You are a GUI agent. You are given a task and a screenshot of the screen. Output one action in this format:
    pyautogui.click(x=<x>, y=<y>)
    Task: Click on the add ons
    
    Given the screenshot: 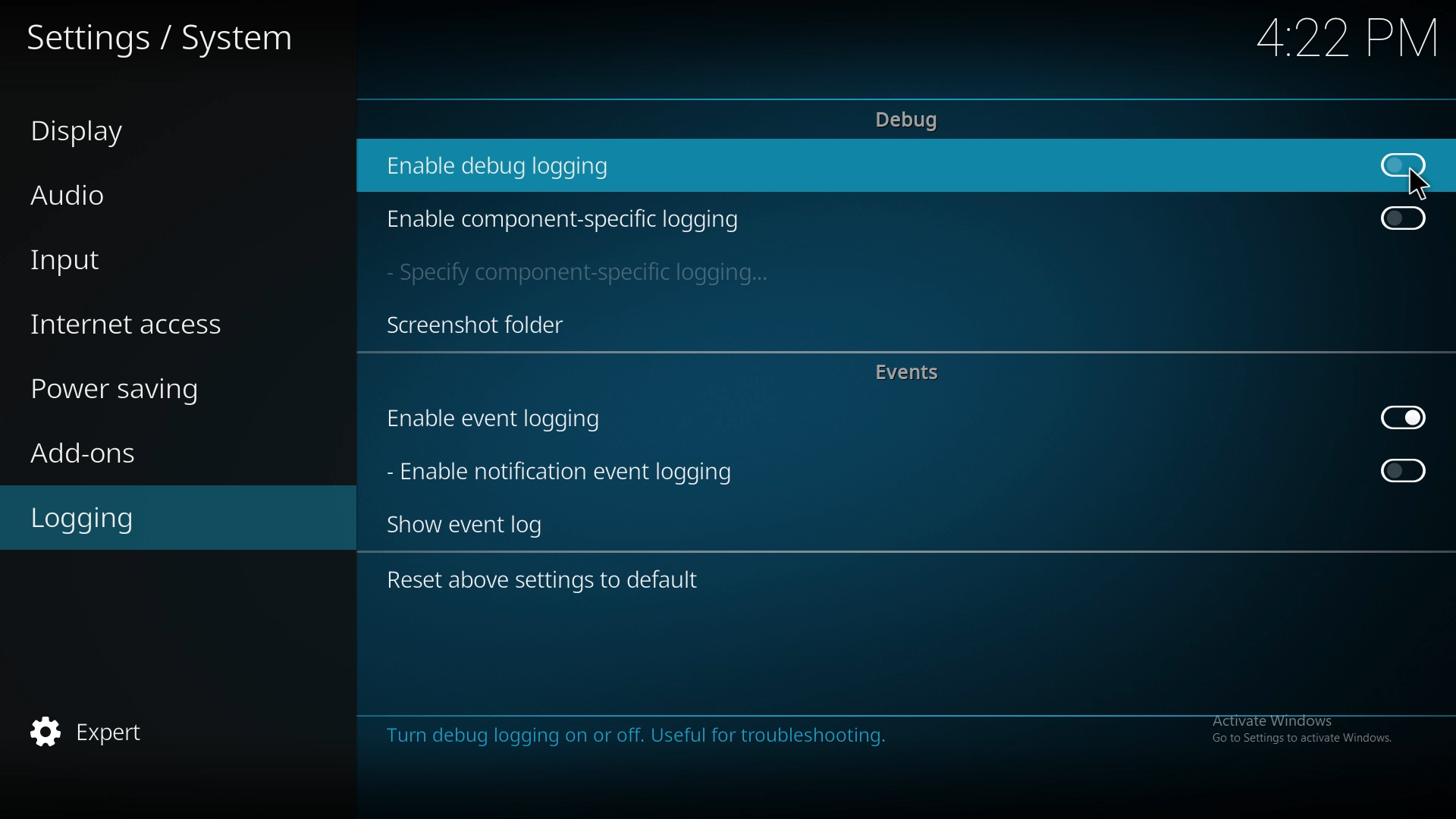 What is the action you would take?
    pyautogui.click(x=160, y=452)
    